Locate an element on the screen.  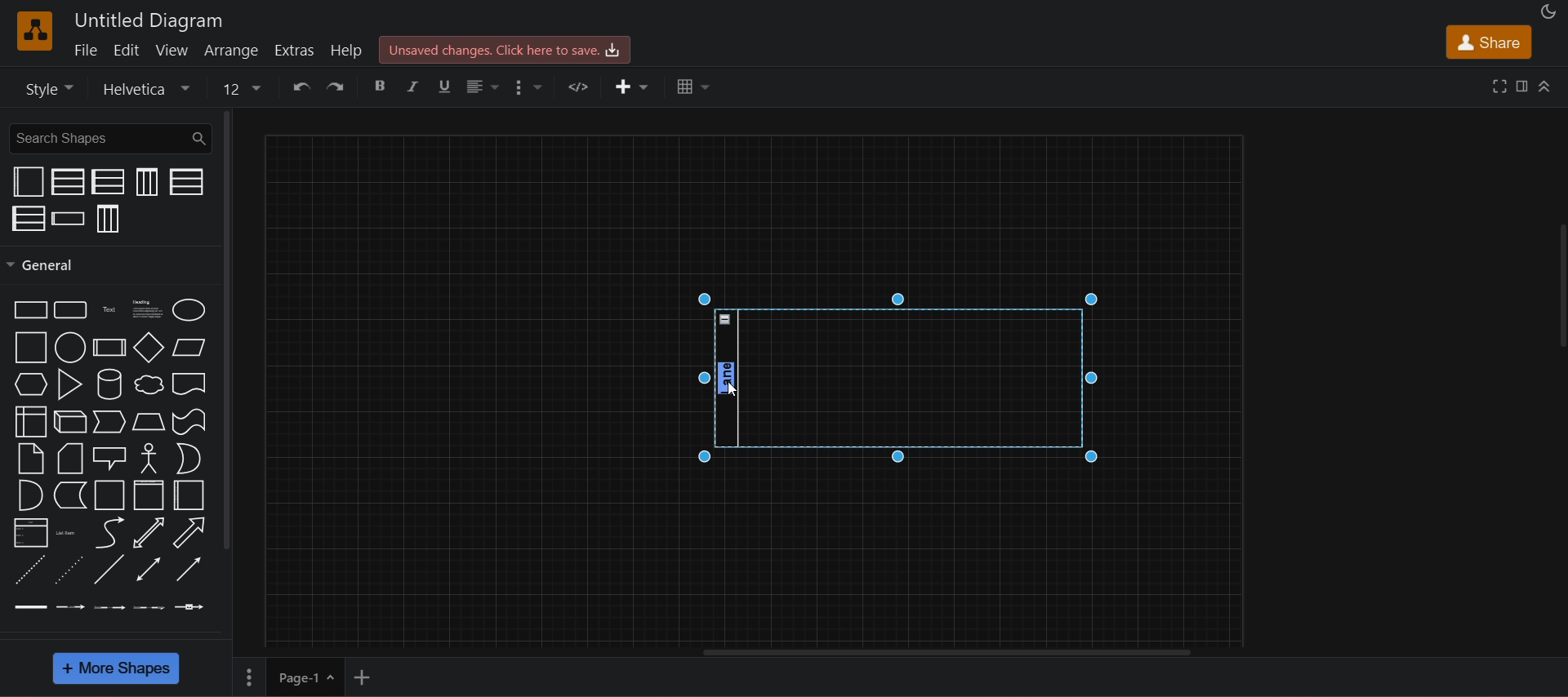
square is located at coordinates (29, 348).